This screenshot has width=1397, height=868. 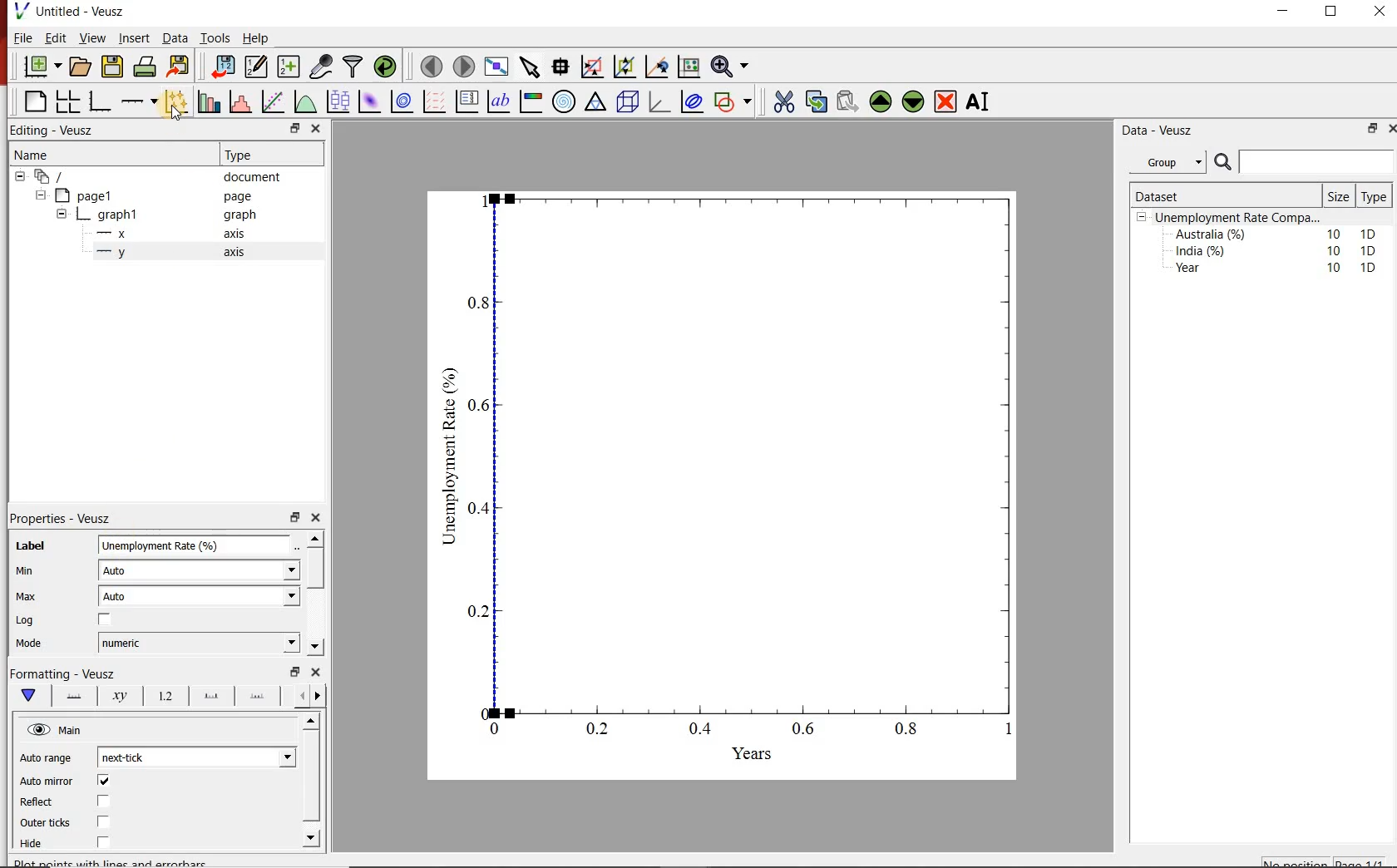 I want to click on move the widgets up, so click(x=881, y=101).